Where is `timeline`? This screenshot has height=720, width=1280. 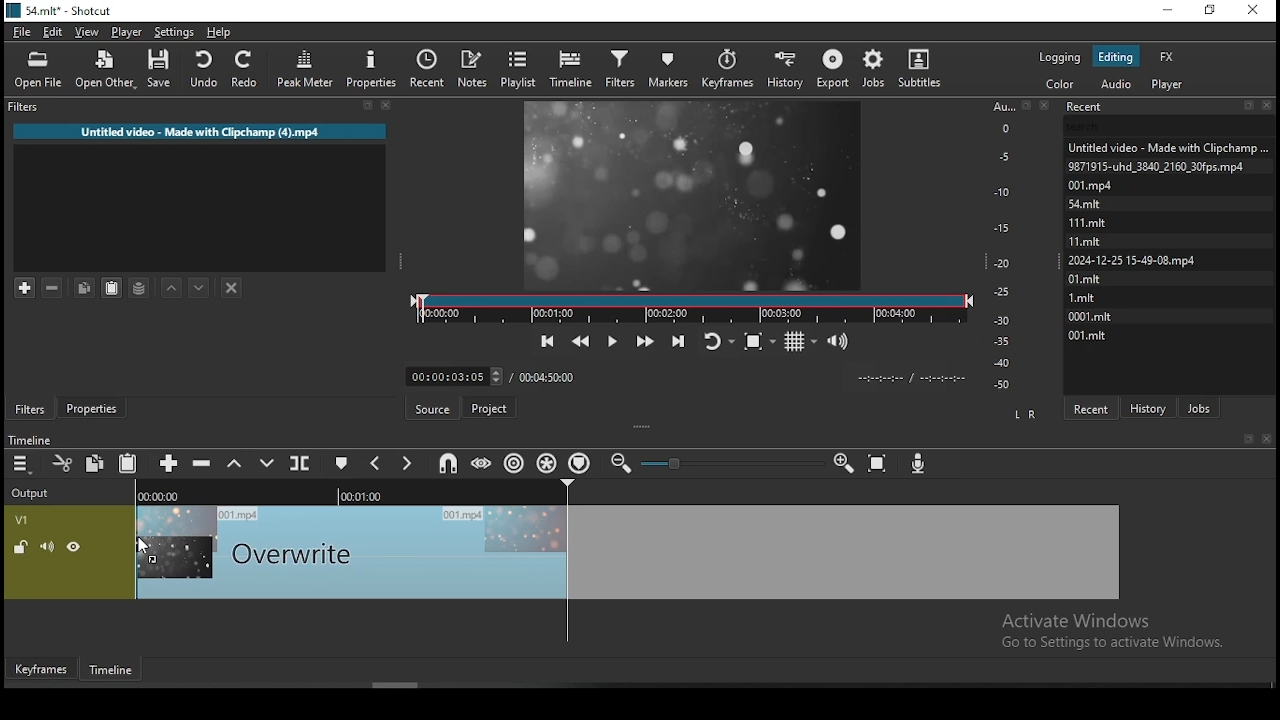 timeline is located at coordinates (346, 494).